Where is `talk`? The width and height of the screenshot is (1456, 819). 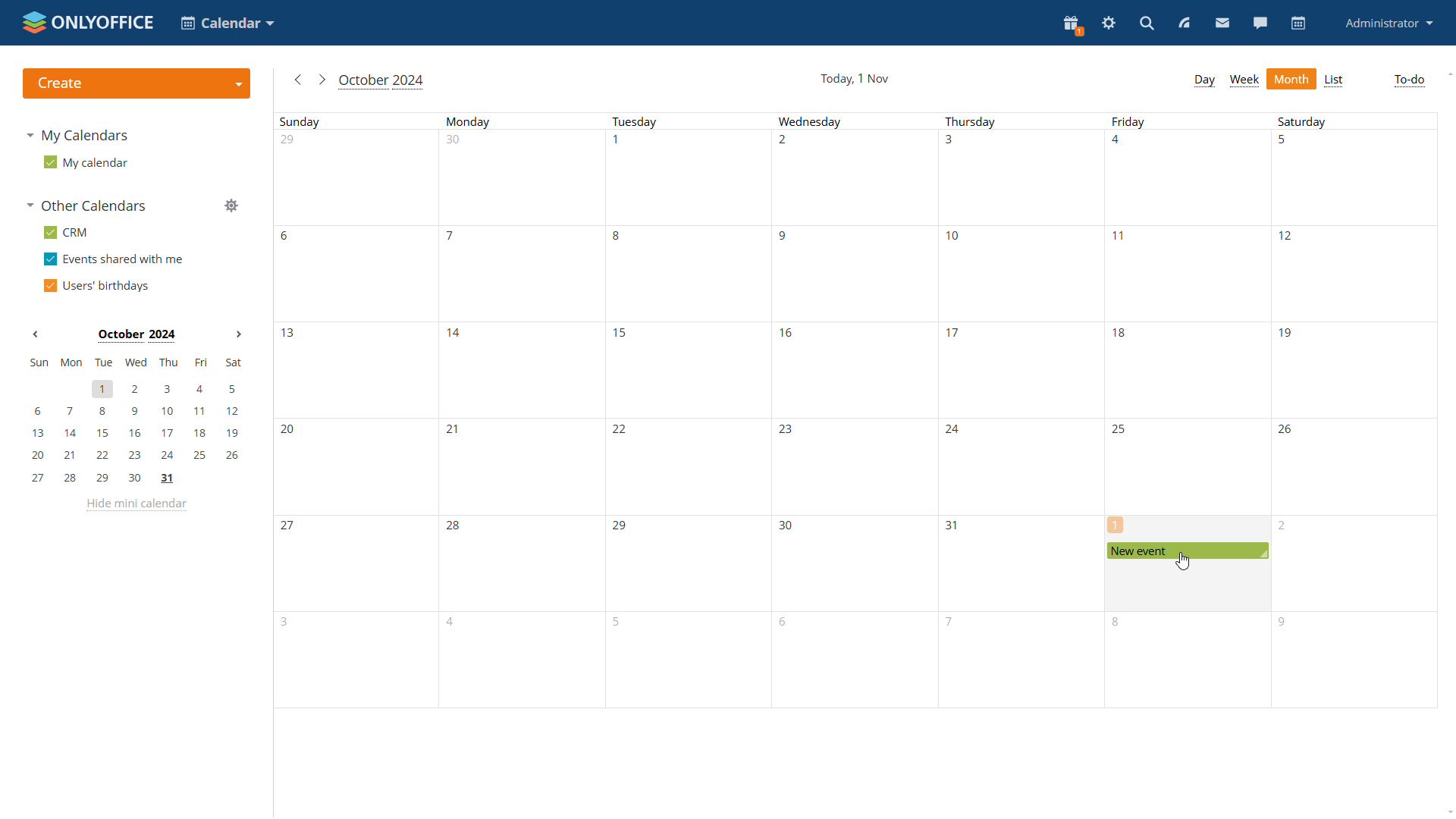 talk is located at coordinates (1262, 24).